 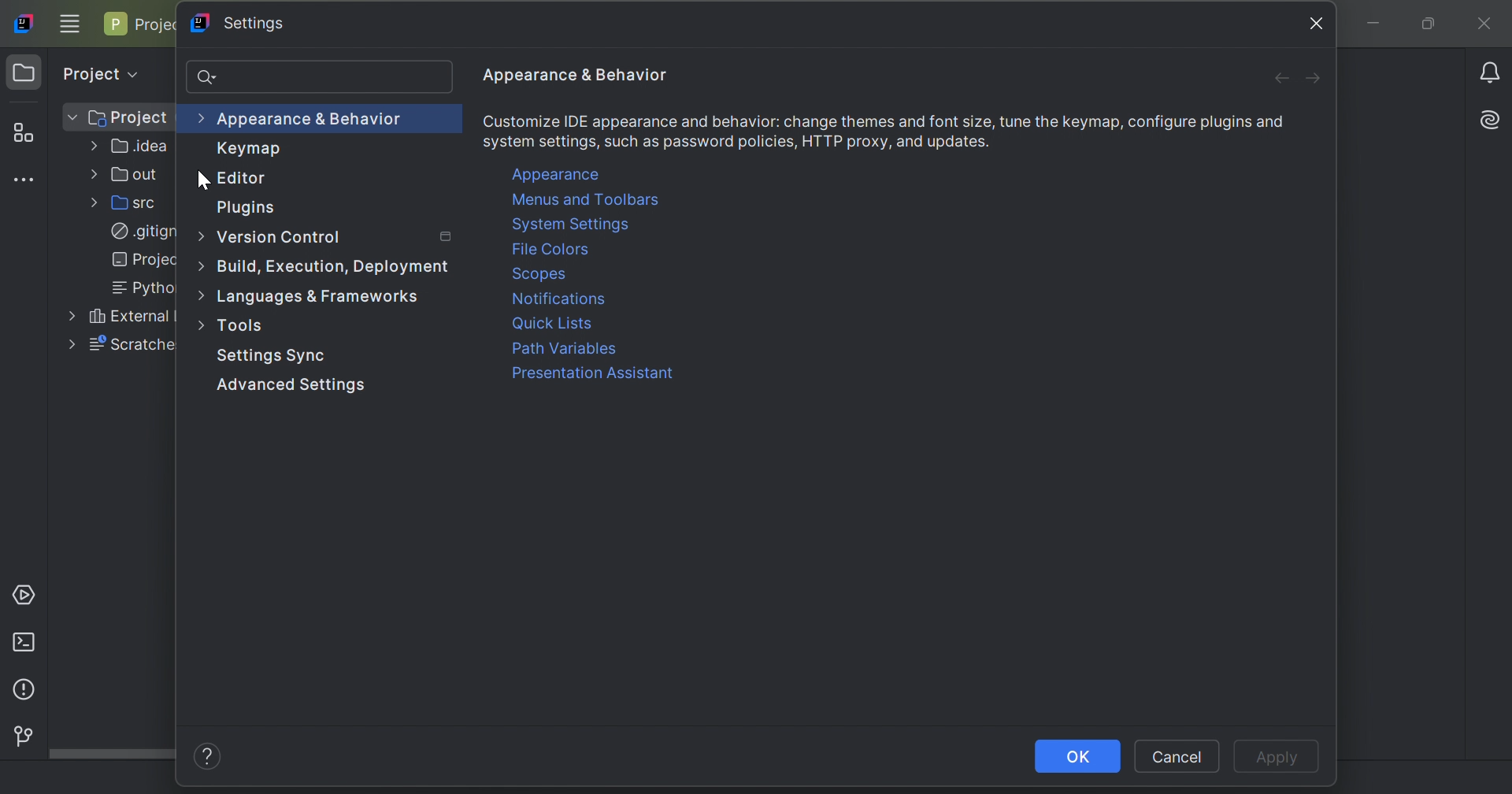 What do you see at coordinates (26, 22) in the screenshot?
I see `IntelliJ IDEA icon` at bounding box center [26, 22].